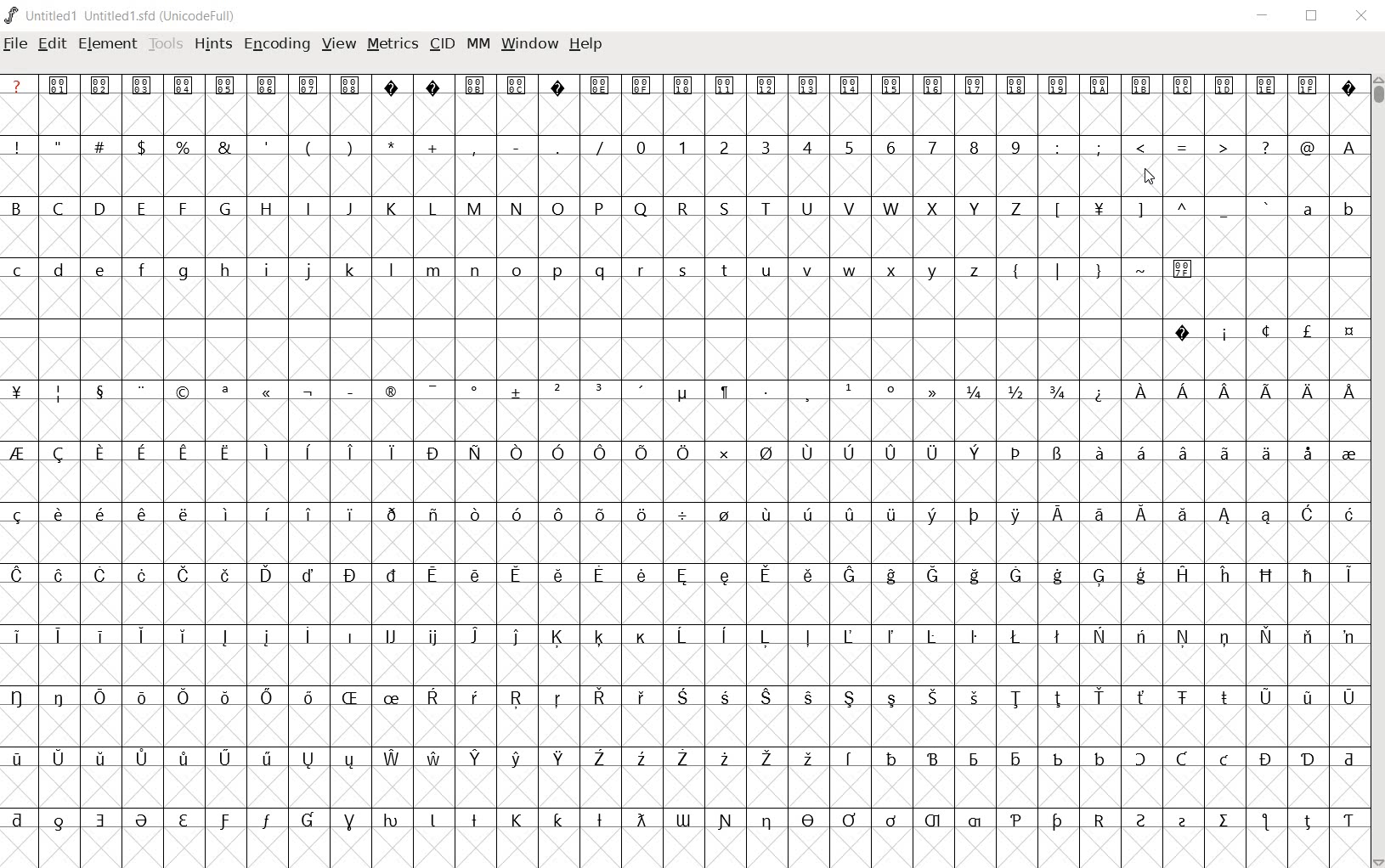 The width and height of the screenshot is (1385, 868). Describe the element at coordinates (1377, 470) in the screenshot. I see `scrollbar` at that location.